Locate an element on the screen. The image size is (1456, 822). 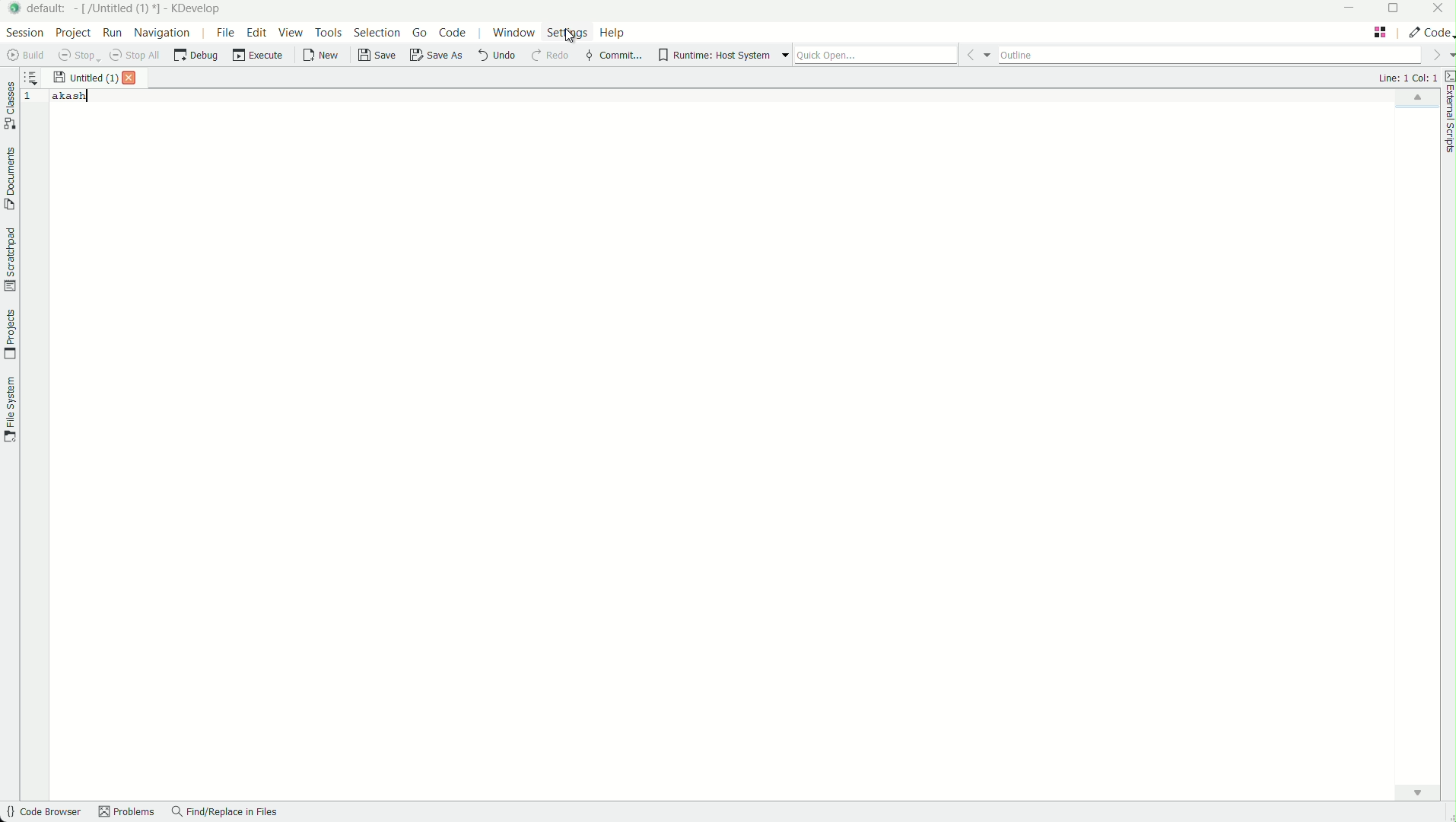
undo is located at coordinates (495, 56).